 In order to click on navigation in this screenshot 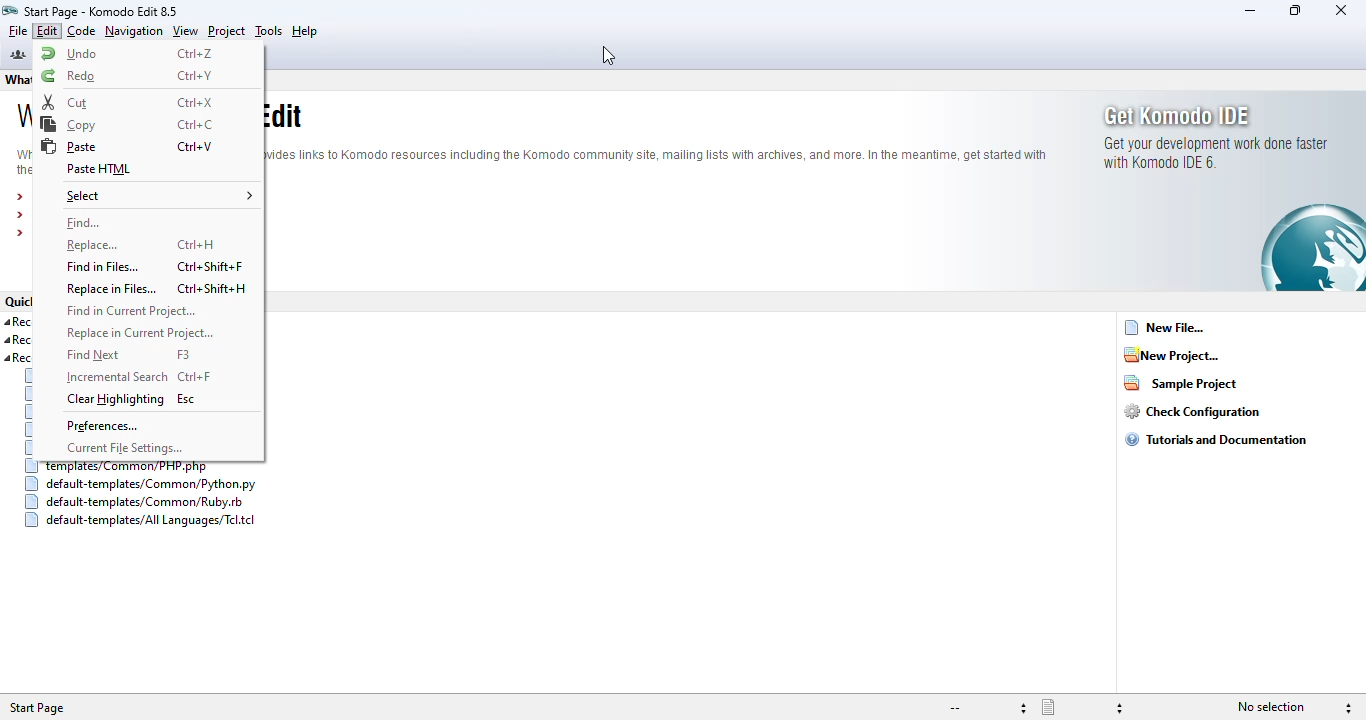, I will do `click(133, 31)`.